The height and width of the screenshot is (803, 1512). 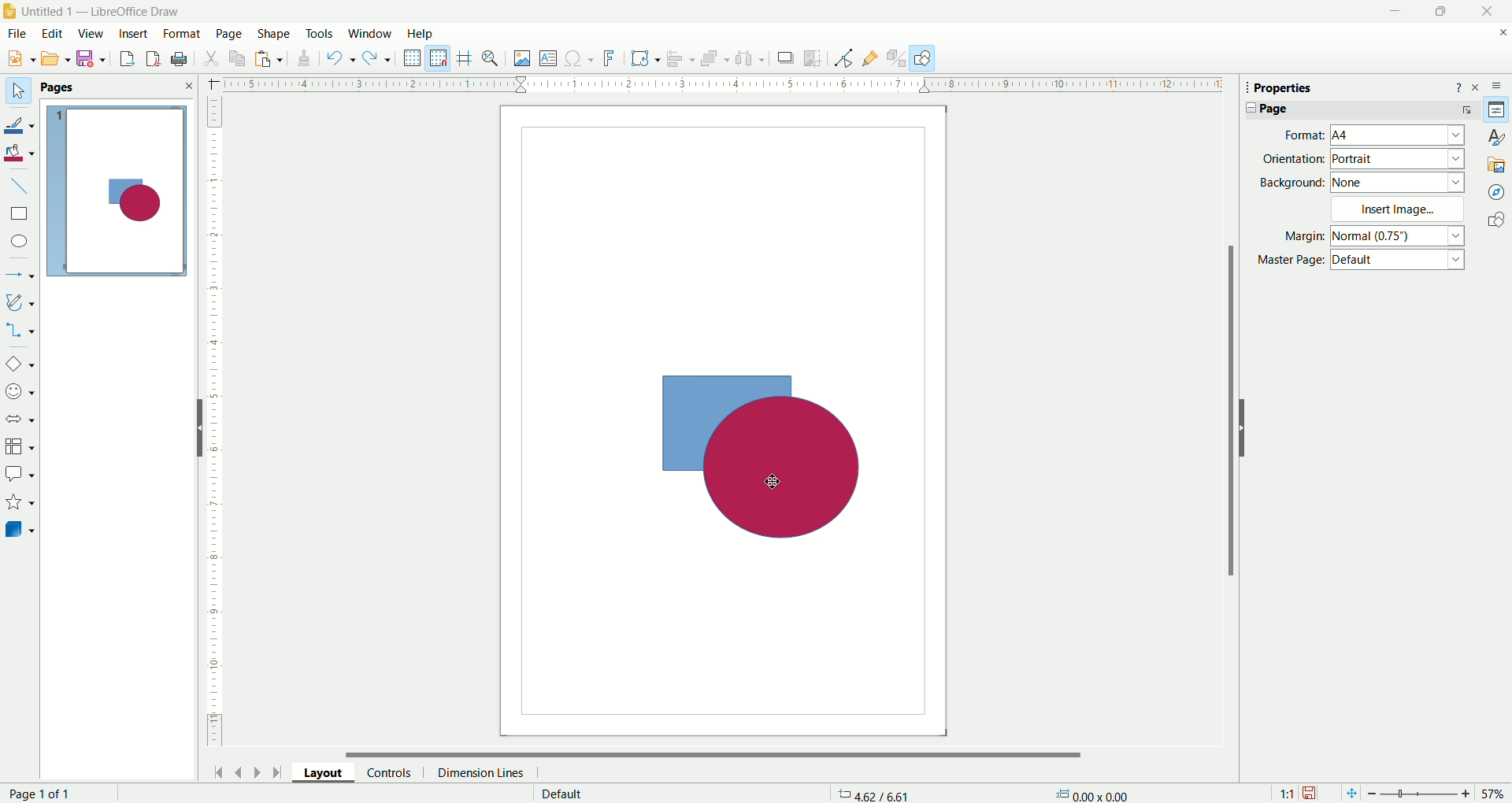 What do you see at coordinates (750, 58) in the screenshot?
I see `select atleast three objects to distribute` at bounding box center [750, 58].